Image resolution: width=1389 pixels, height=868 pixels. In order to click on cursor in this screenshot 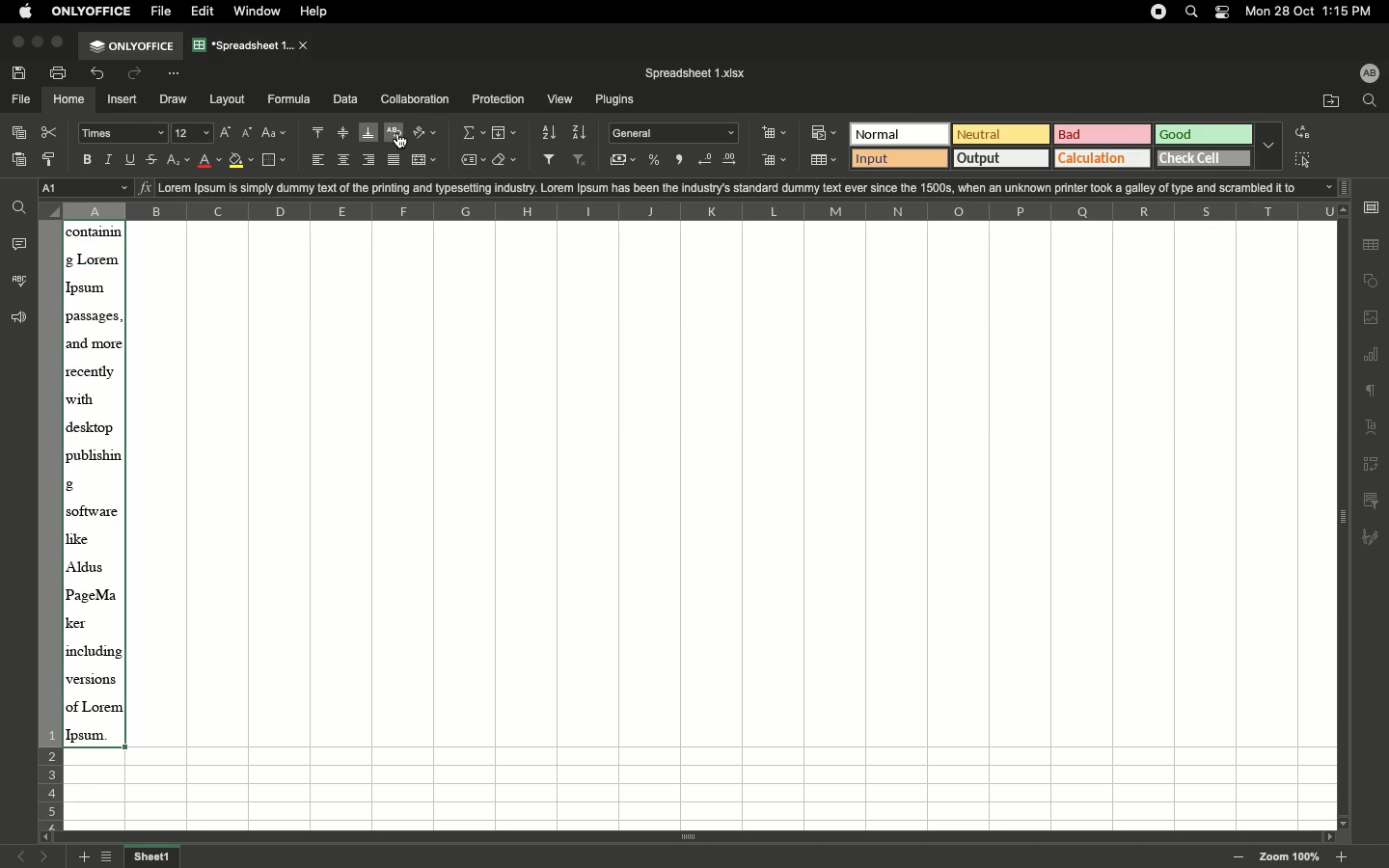, I will do `click(398, 140)`.